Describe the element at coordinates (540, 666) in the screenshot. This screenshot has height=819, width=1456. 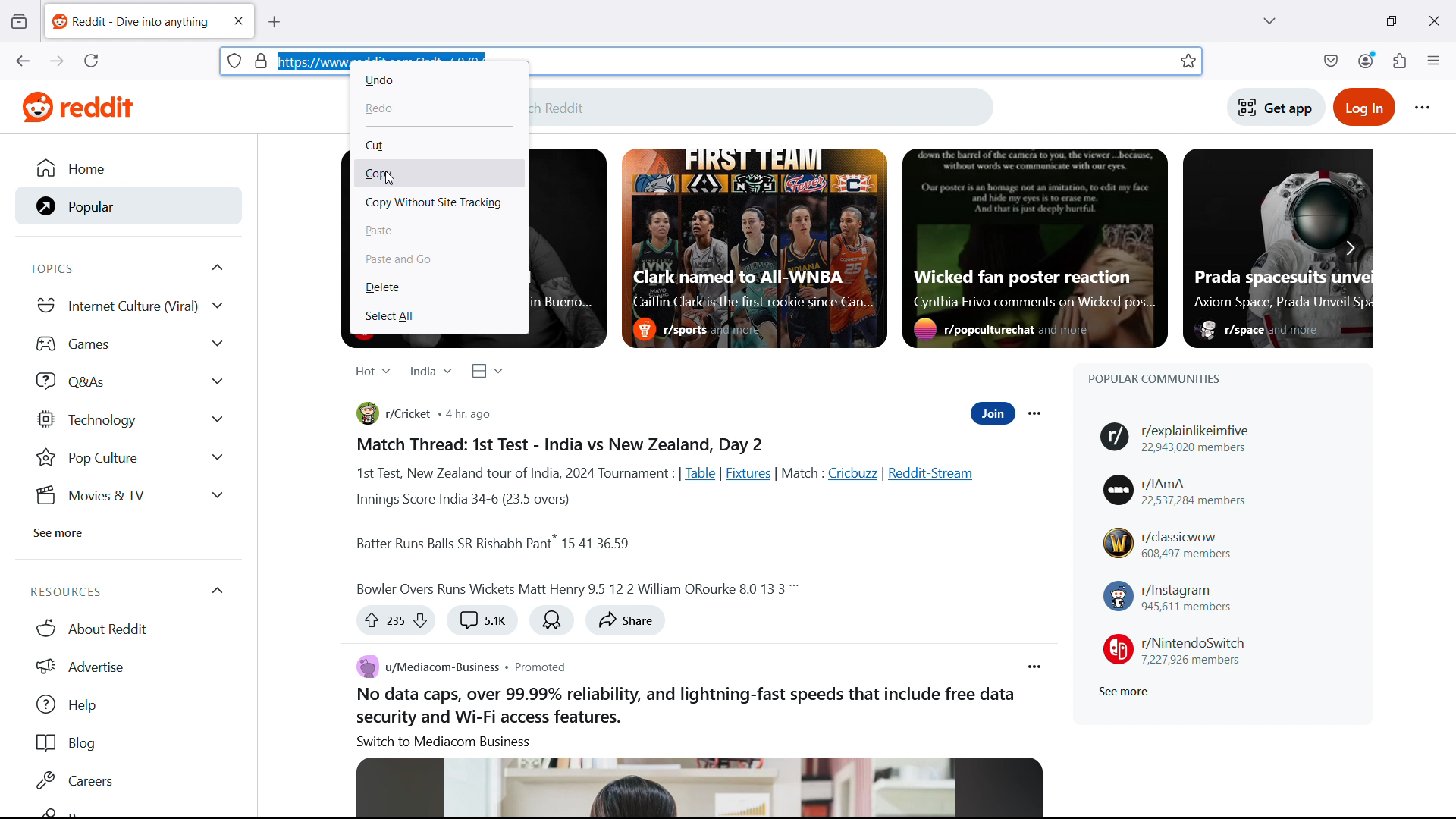
I see `Post type: promoted` at that location.